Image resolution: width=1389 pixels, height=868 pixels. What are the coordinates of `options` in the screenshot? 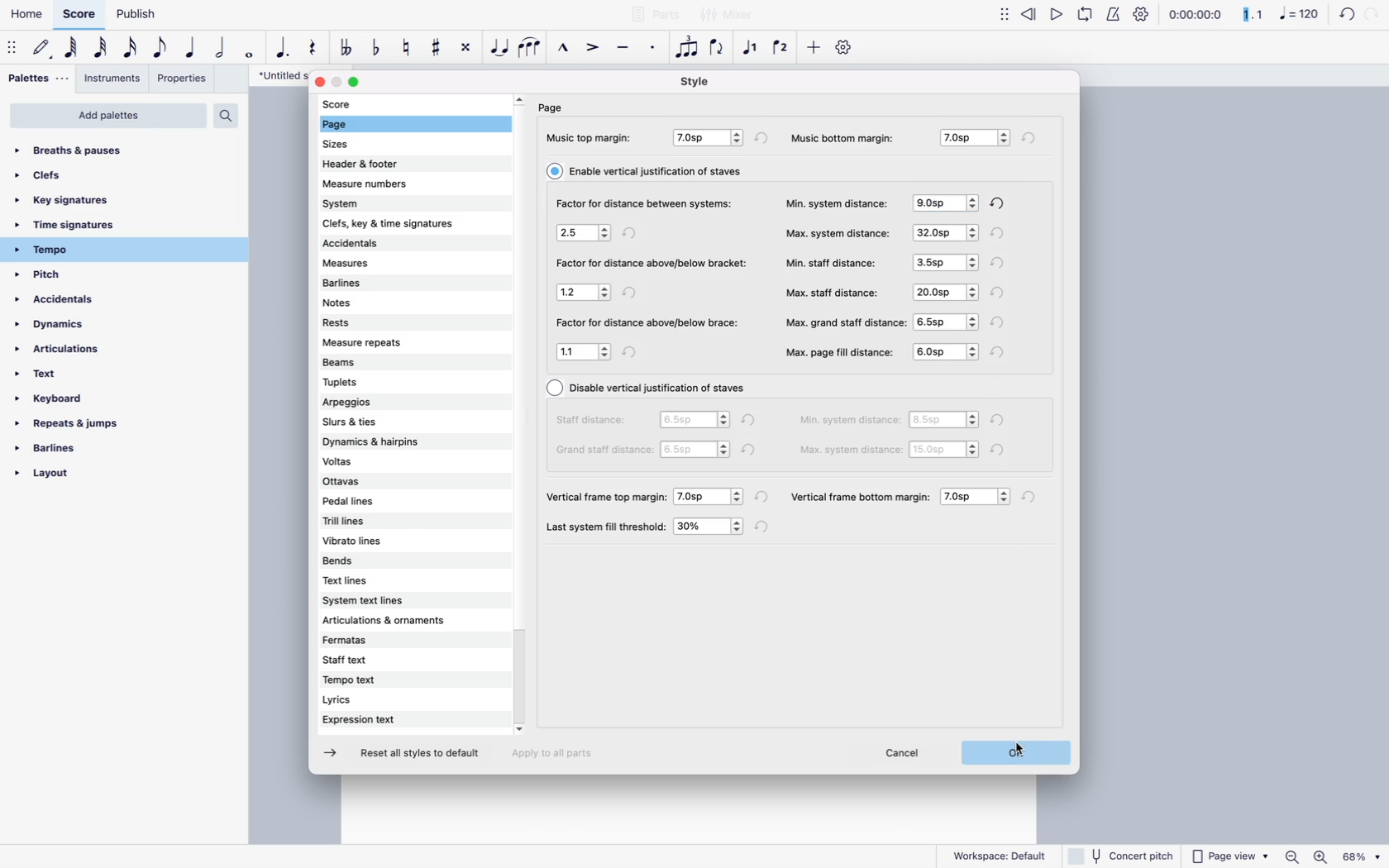 It's located at (585, 235).